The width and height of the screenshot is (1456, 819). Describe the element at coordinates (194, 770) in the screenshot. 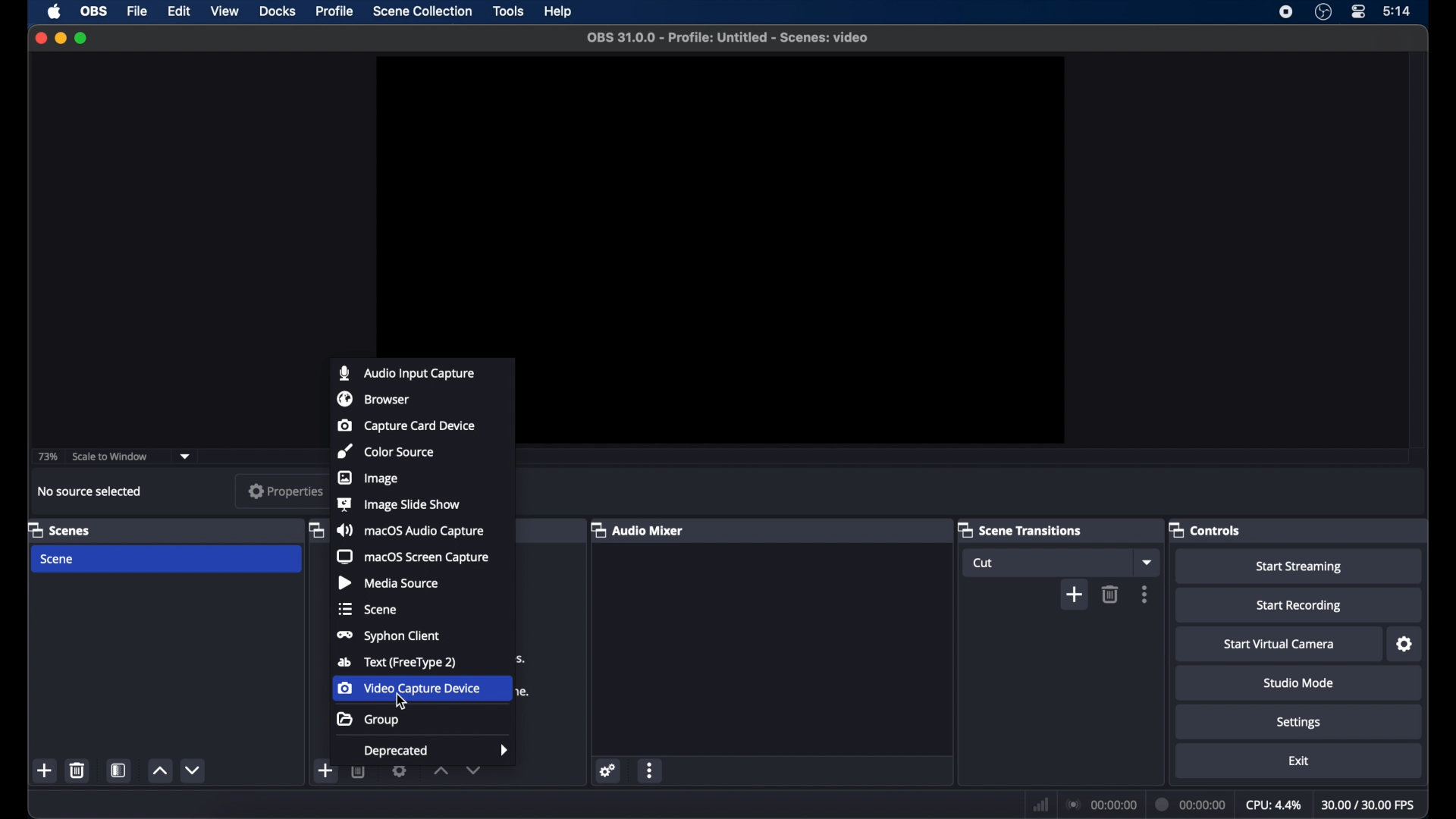

I see `decrement` at that location.